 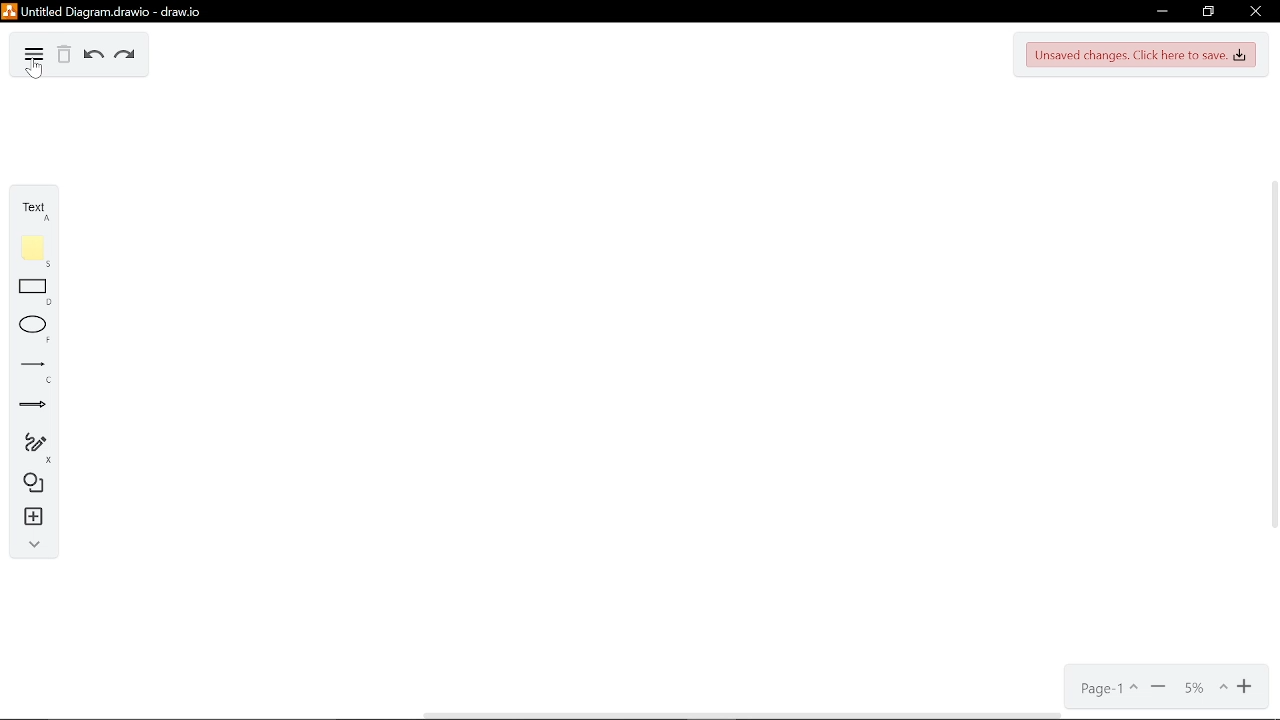 I want to click on Current window, so click(x=118, y=11).